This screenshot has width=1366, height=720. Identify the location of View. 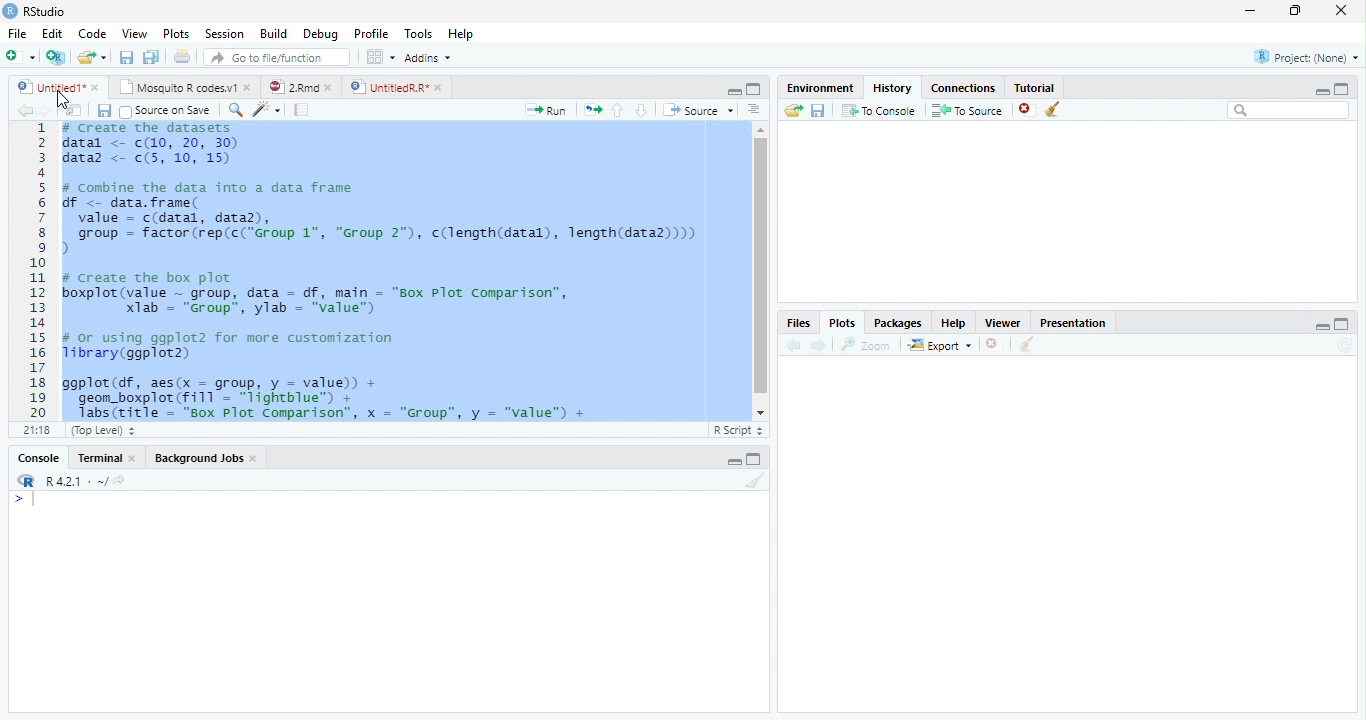
(134, 32).